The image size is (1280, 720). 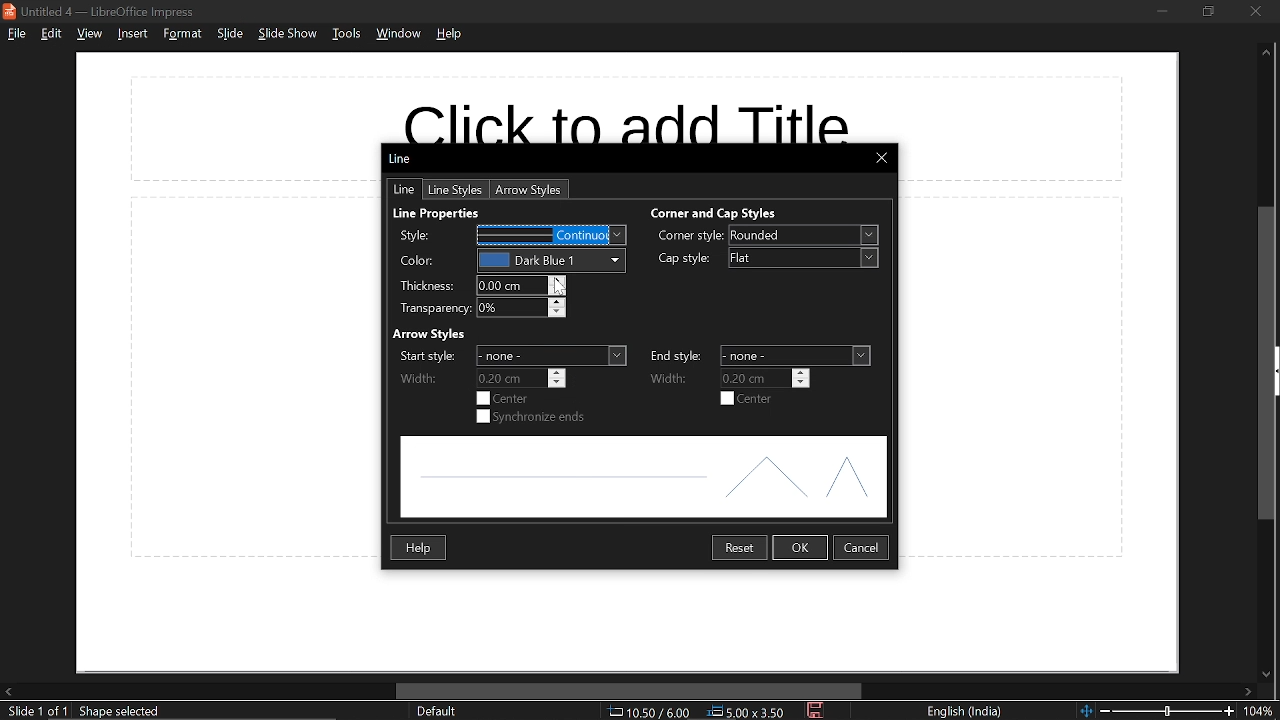 What do you see at coordinates (180, 35) in the screenshot?
I see `format` at bounding box center [180, 35].